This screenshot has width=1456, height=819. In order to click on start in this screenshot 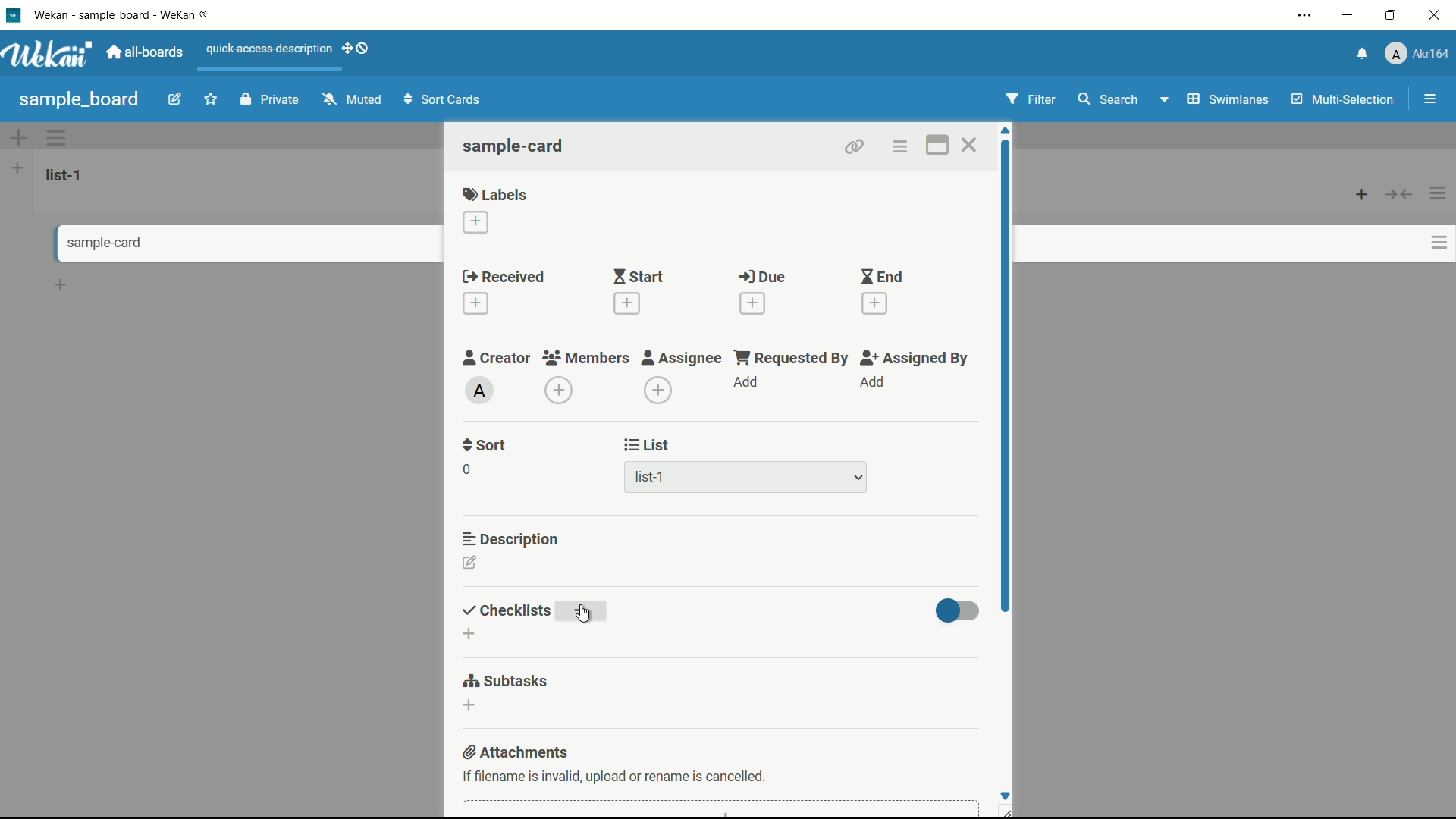, I will do `click(638, 278)`.